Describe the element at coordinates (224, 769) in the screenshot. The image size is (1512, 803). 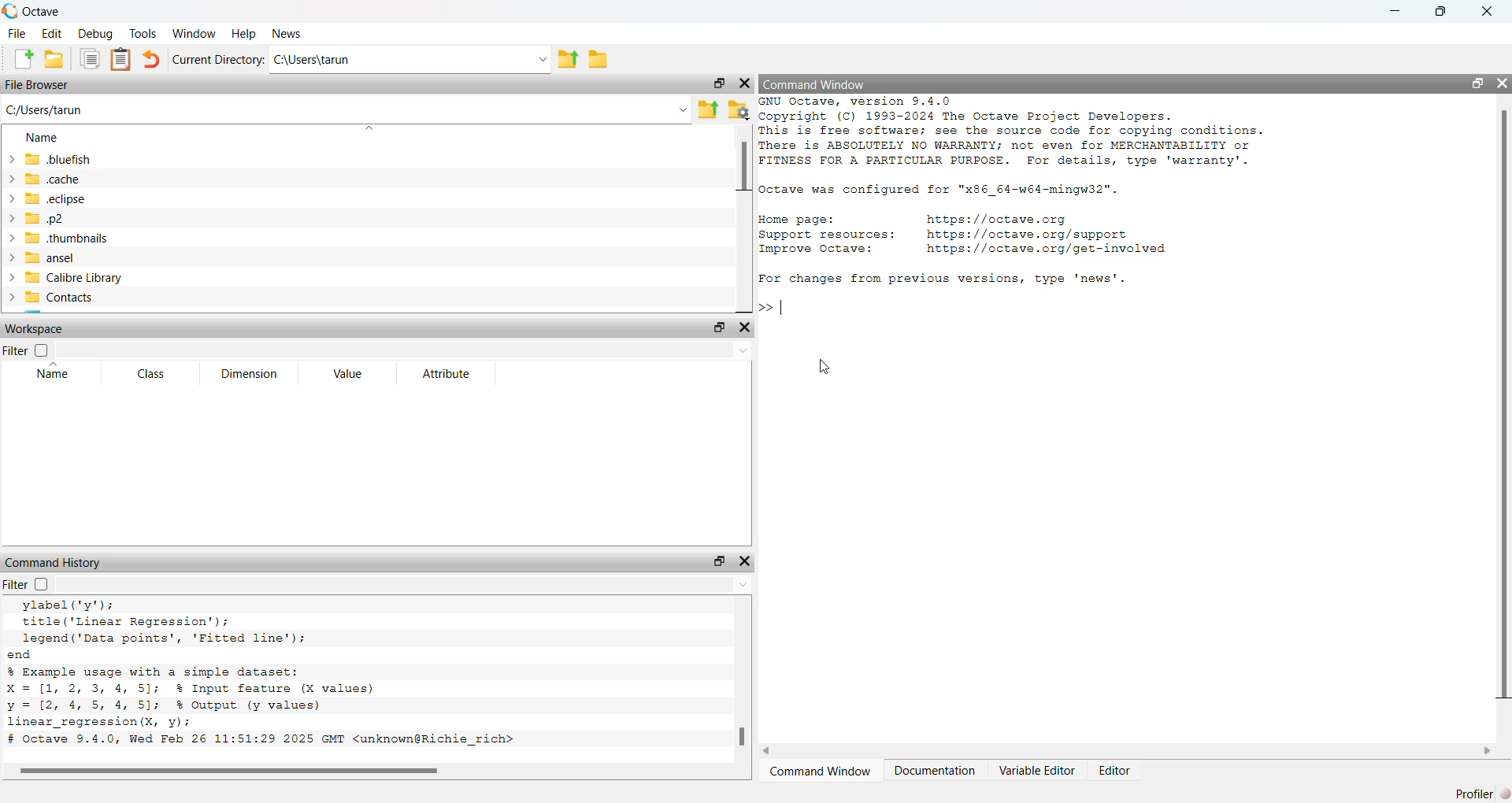
I see `scrollbar` at that location.